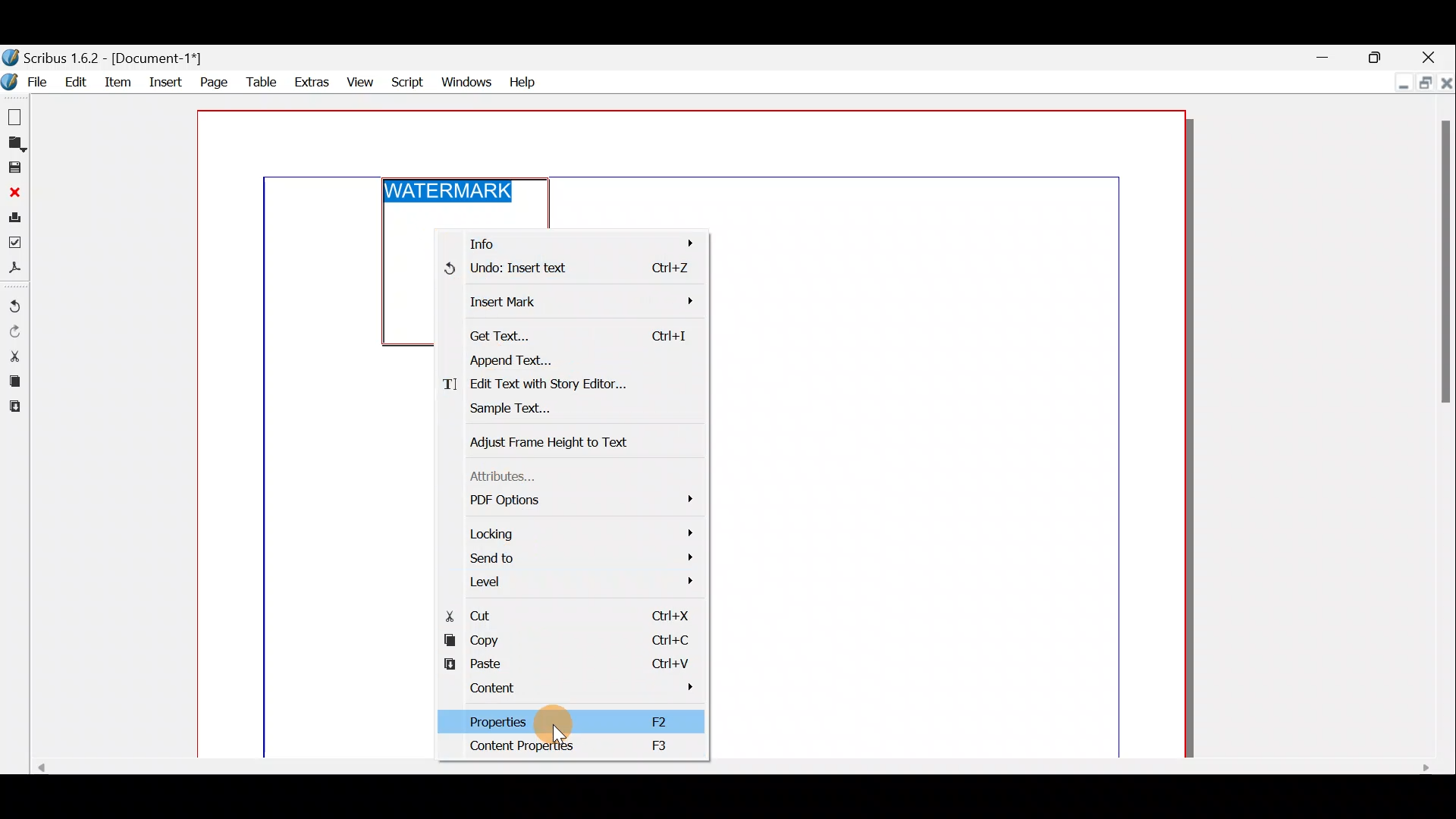 This screenshot has width=1456, height=819. I want to click on Get text, so click(571, 335).